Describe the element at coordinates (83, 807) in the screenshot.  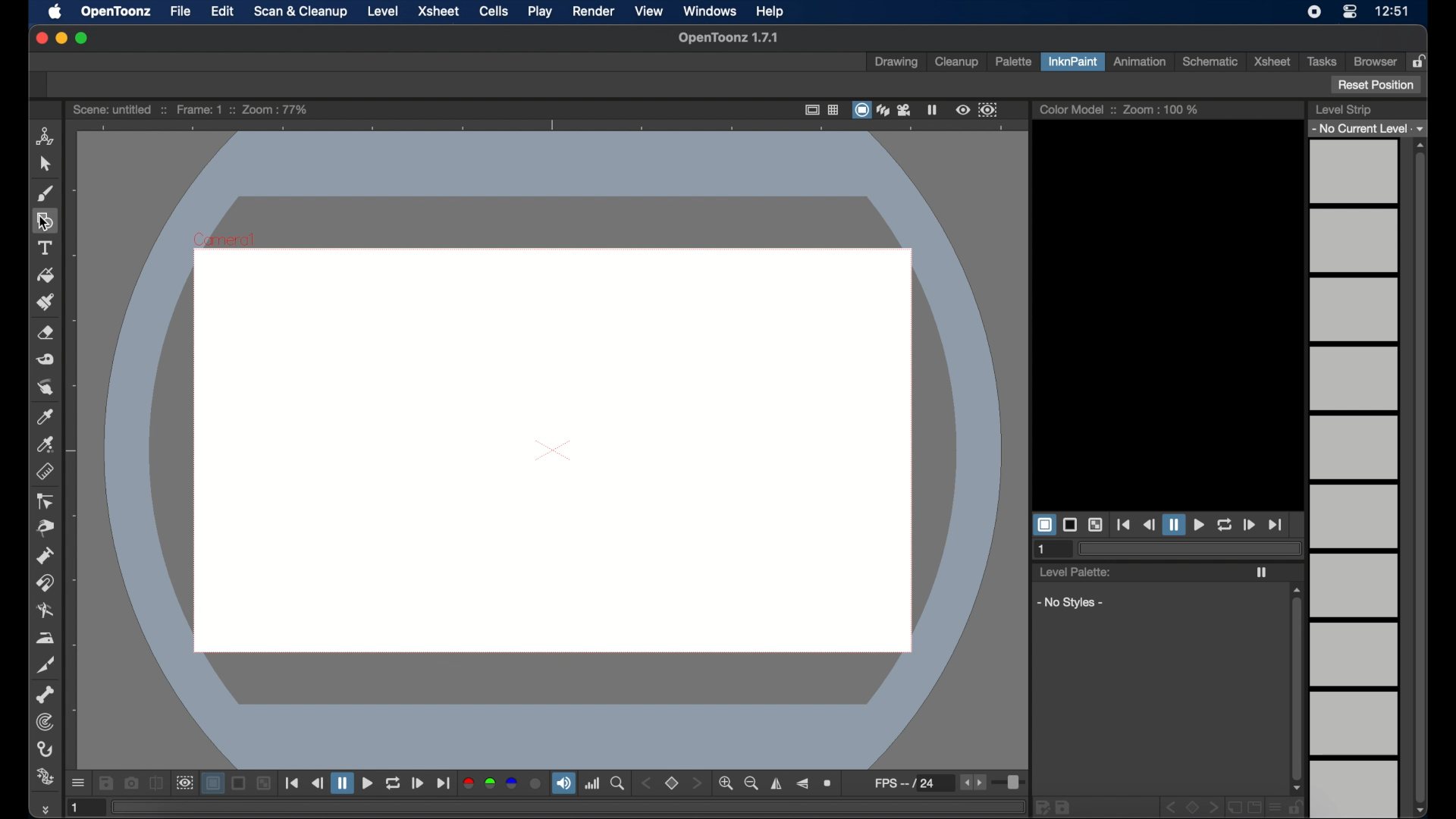
I see `1` at that location.